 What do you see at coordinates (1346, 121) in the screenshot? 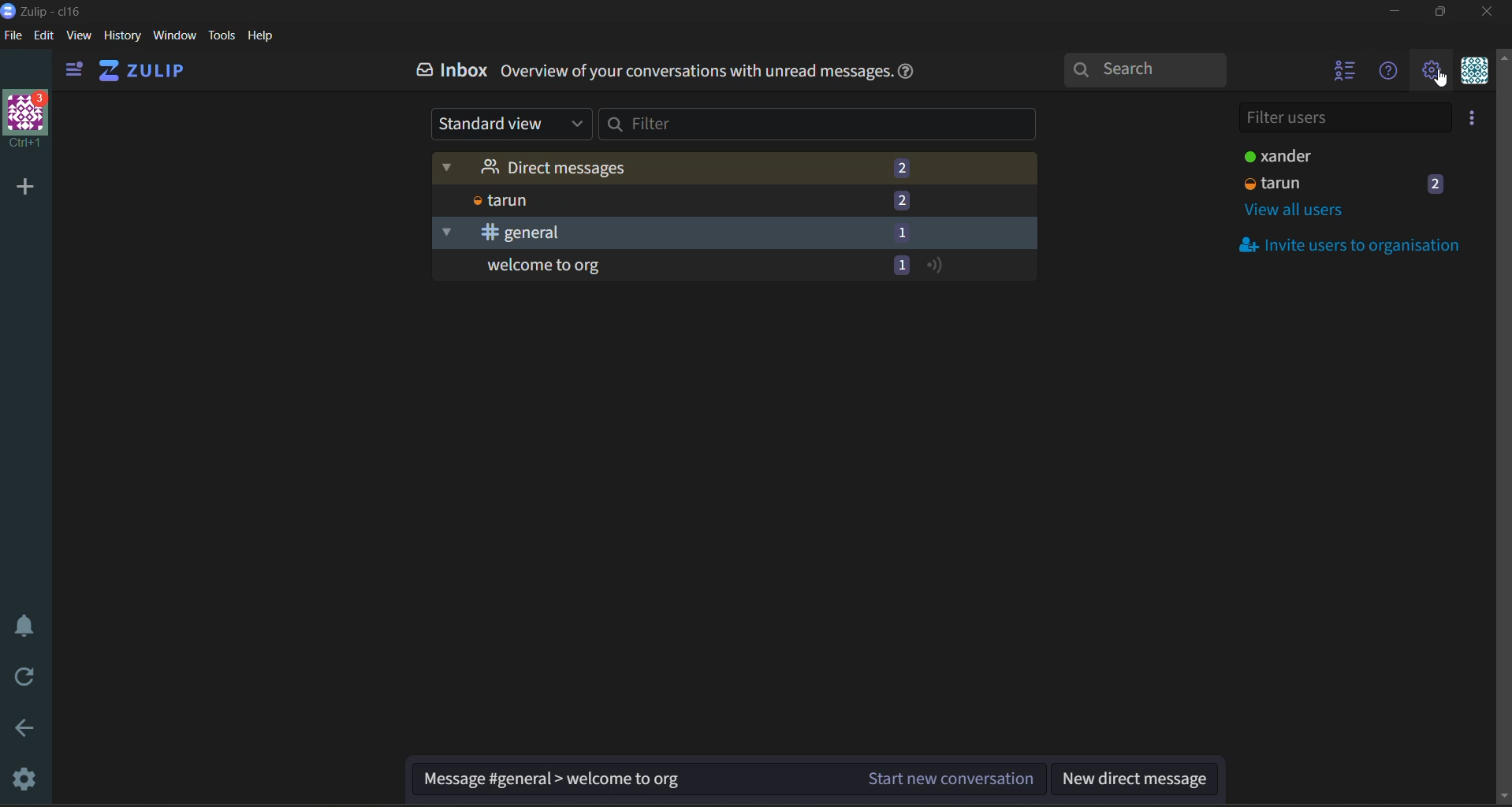
I see `filter users` at bounding box center [1346, 121].